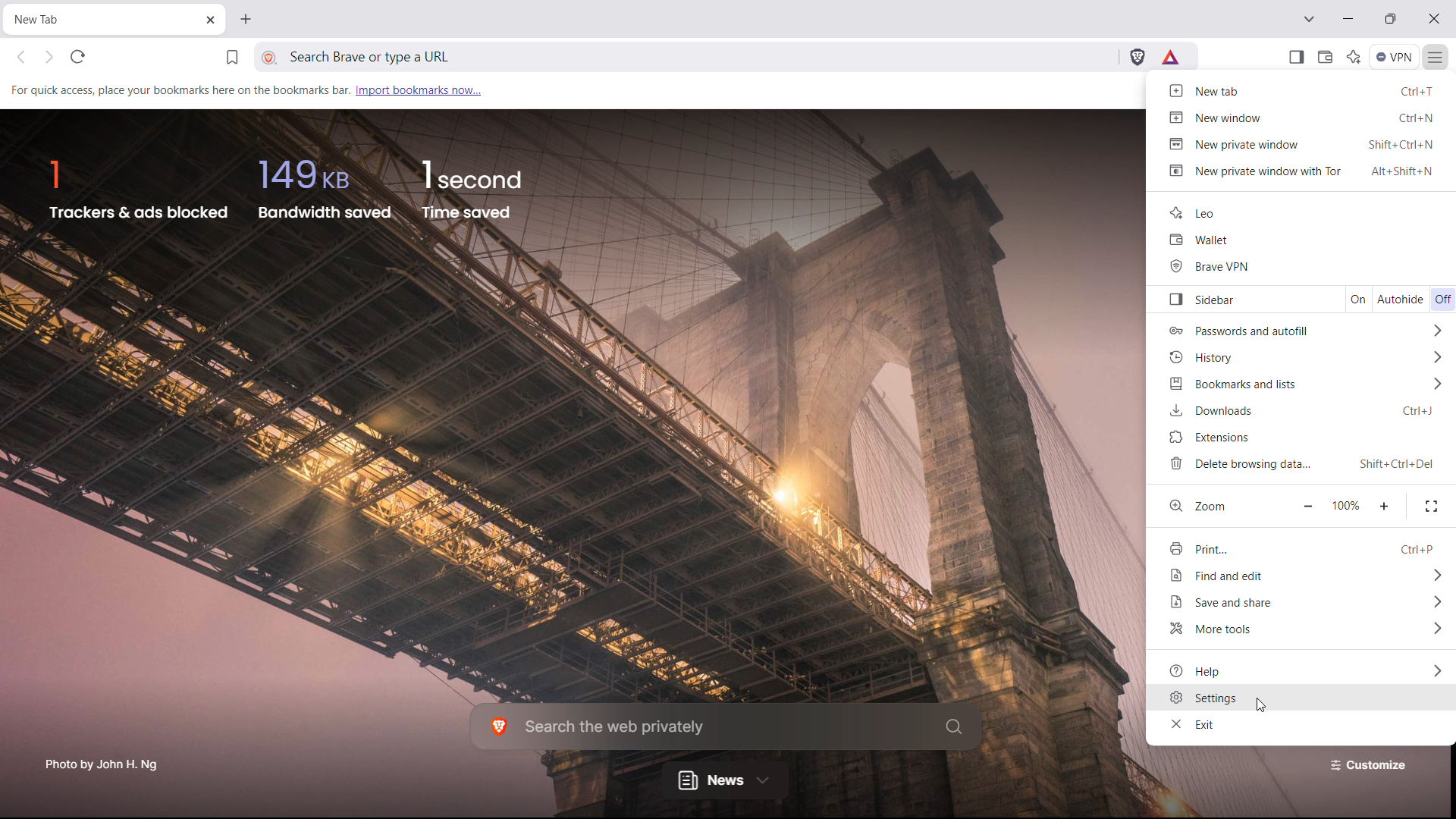 Image resolution: width=1456 pixels, height=819 pixels. What do you see at coordinates (1326, 56) in the screenshot?
I see `wallet` at bounding box center [1326, 56].